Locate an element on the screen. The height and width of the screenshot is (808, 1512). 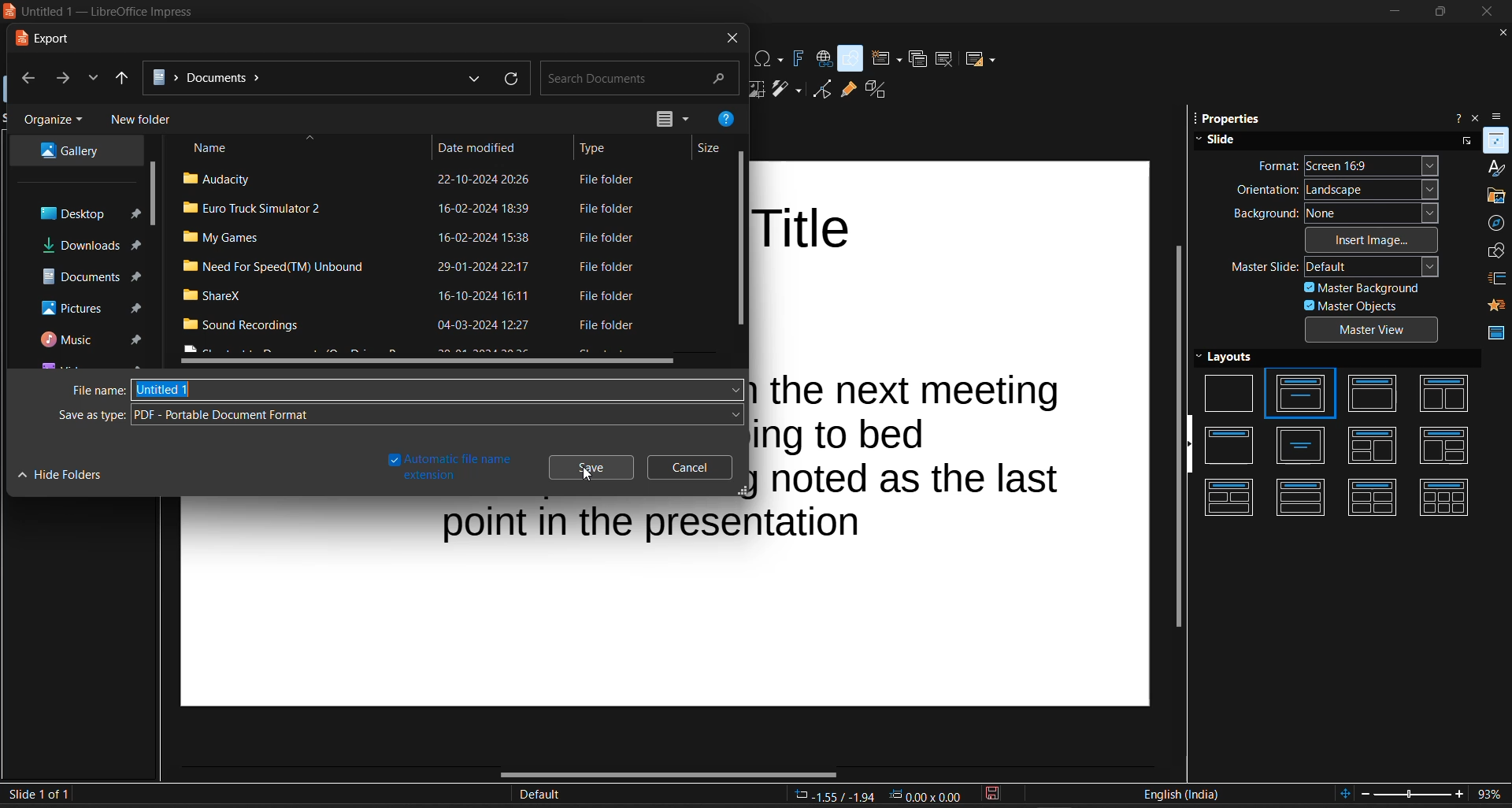
search downloads is located at coordinates (639, 79).